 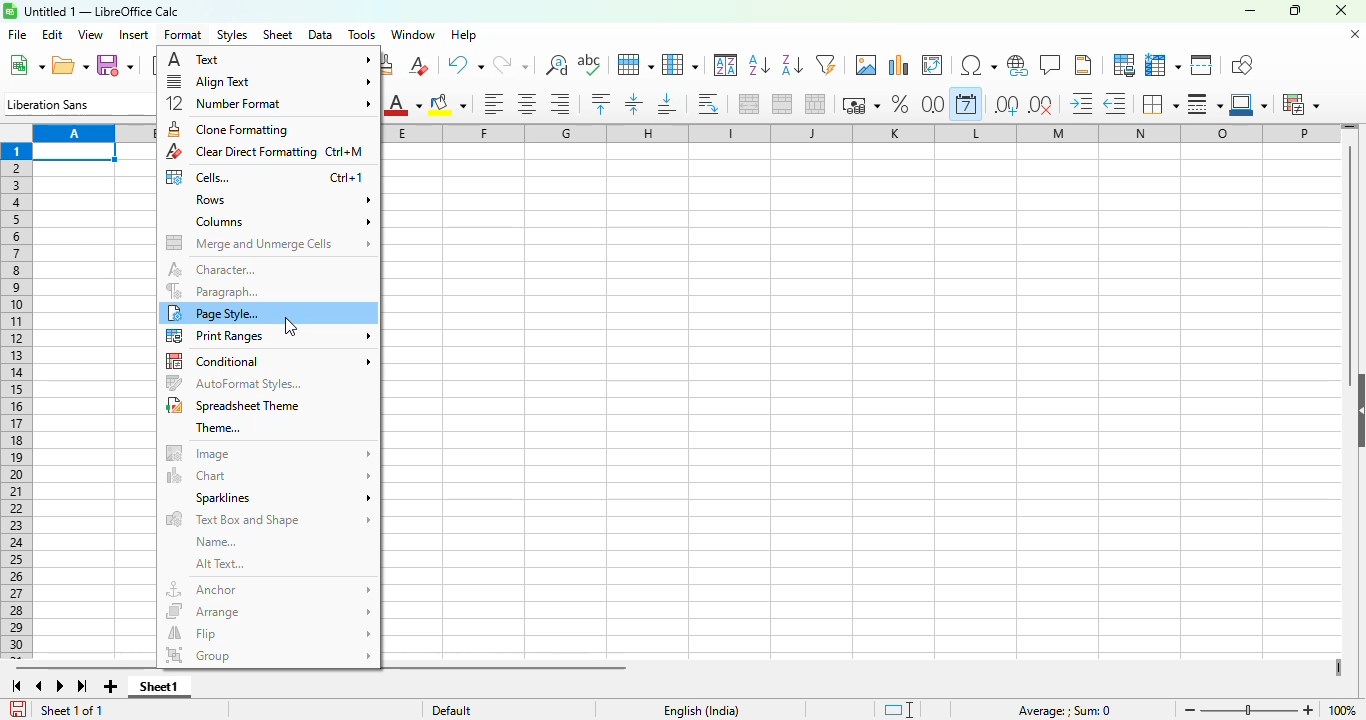 What do you see at coordinates (452, 710) in the screenshot?
I see `default` at bounding box center [452, 710].